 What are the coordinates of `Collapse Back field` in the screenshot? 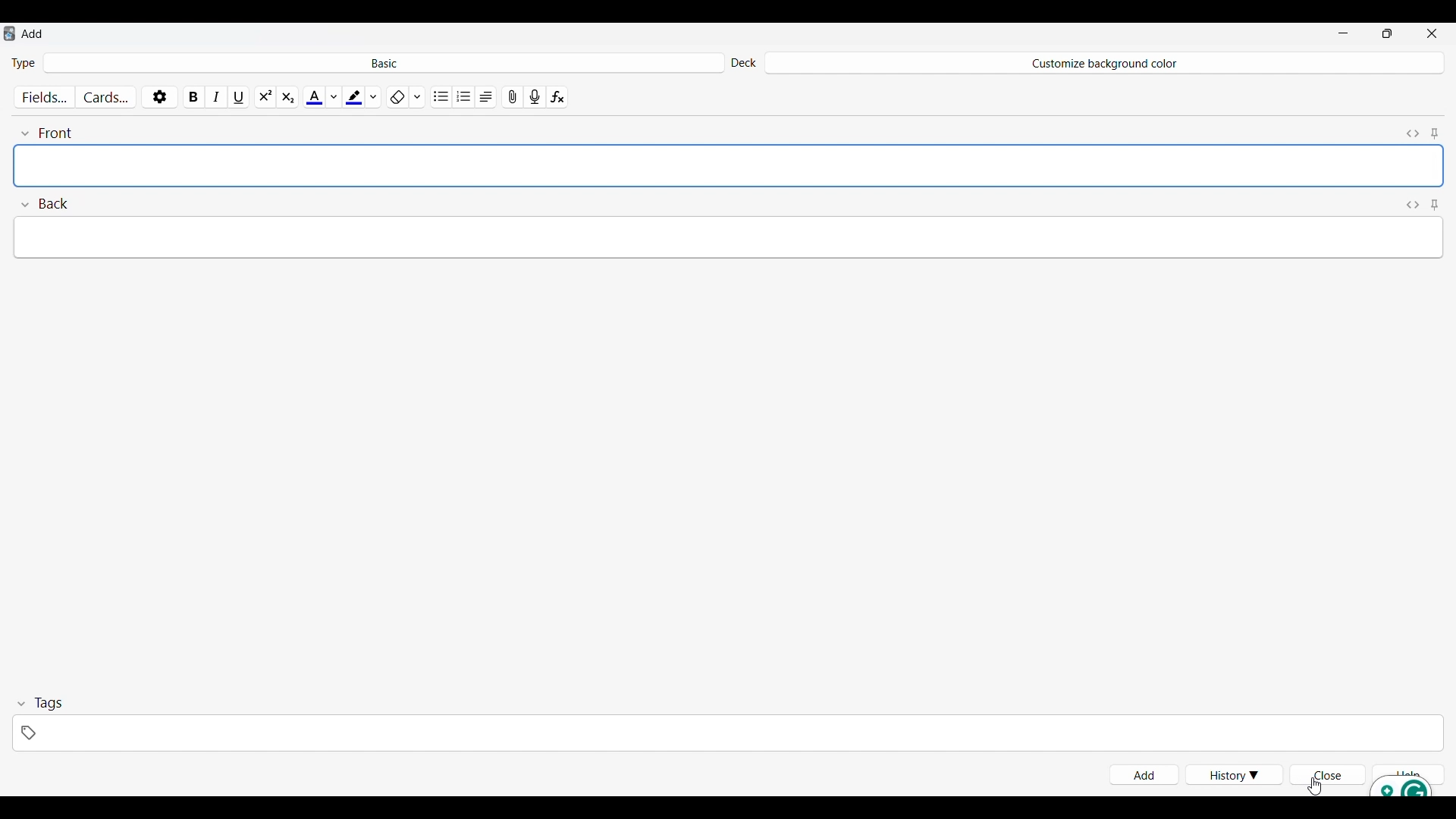 It's located at (45, 202).